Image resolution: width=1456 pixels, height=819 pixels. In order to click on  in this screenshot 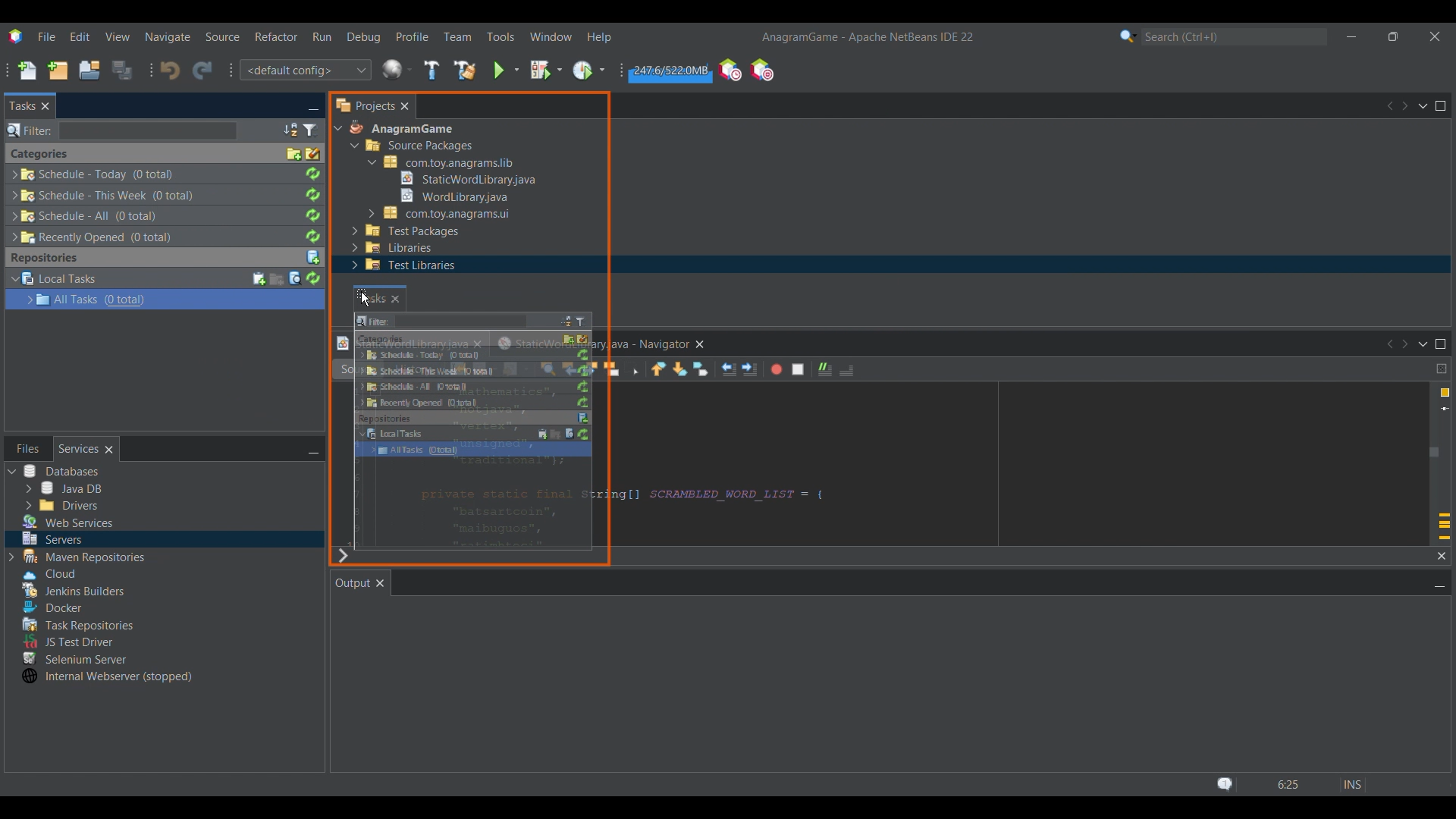, I will do `click(69, 522)`.